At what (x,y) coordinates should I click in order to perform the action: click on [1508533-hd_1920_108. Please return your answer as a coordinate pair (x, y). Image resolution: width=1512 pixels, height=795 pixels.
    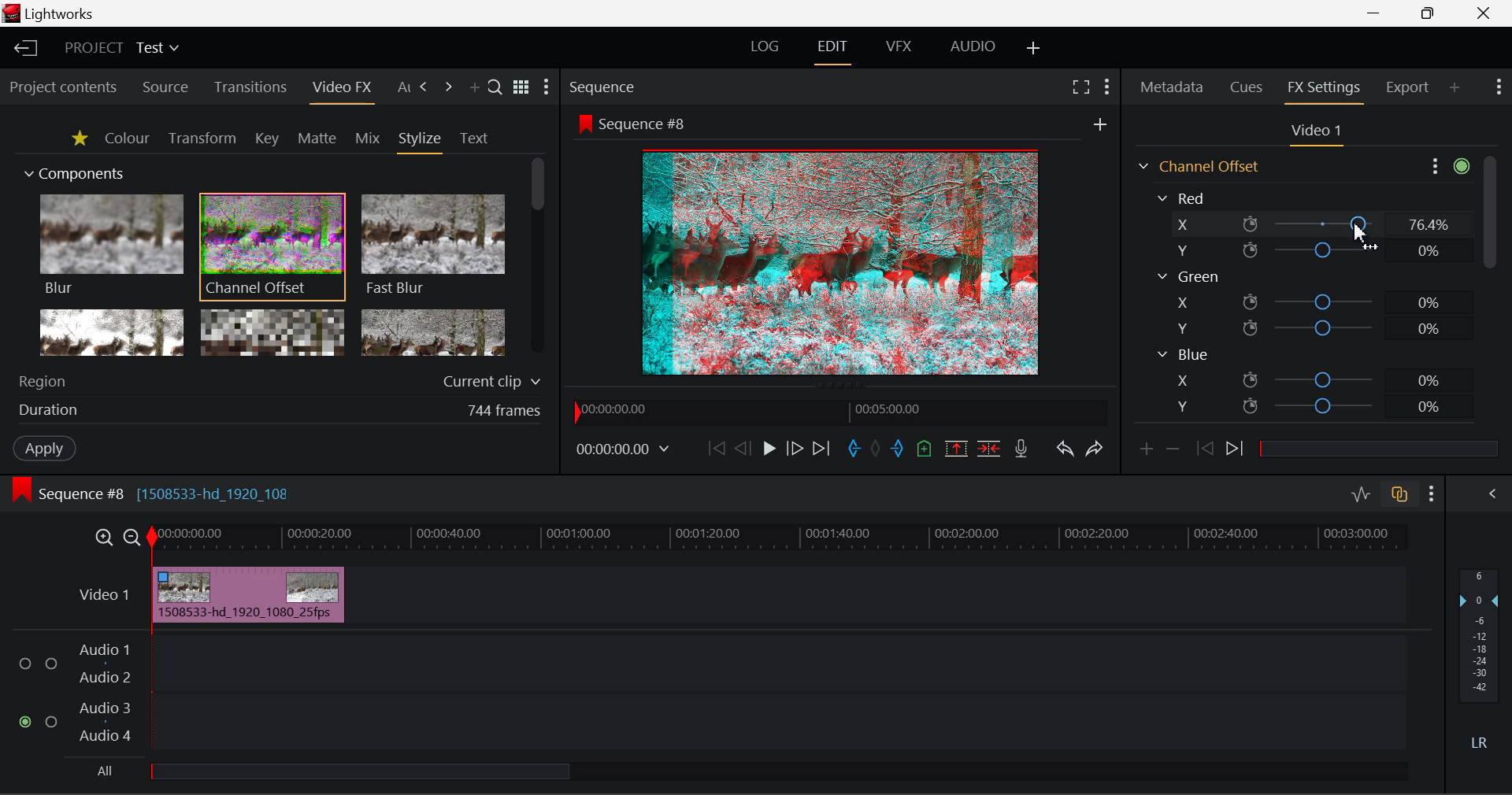
    Looking at the image, I should click on (220, 490).